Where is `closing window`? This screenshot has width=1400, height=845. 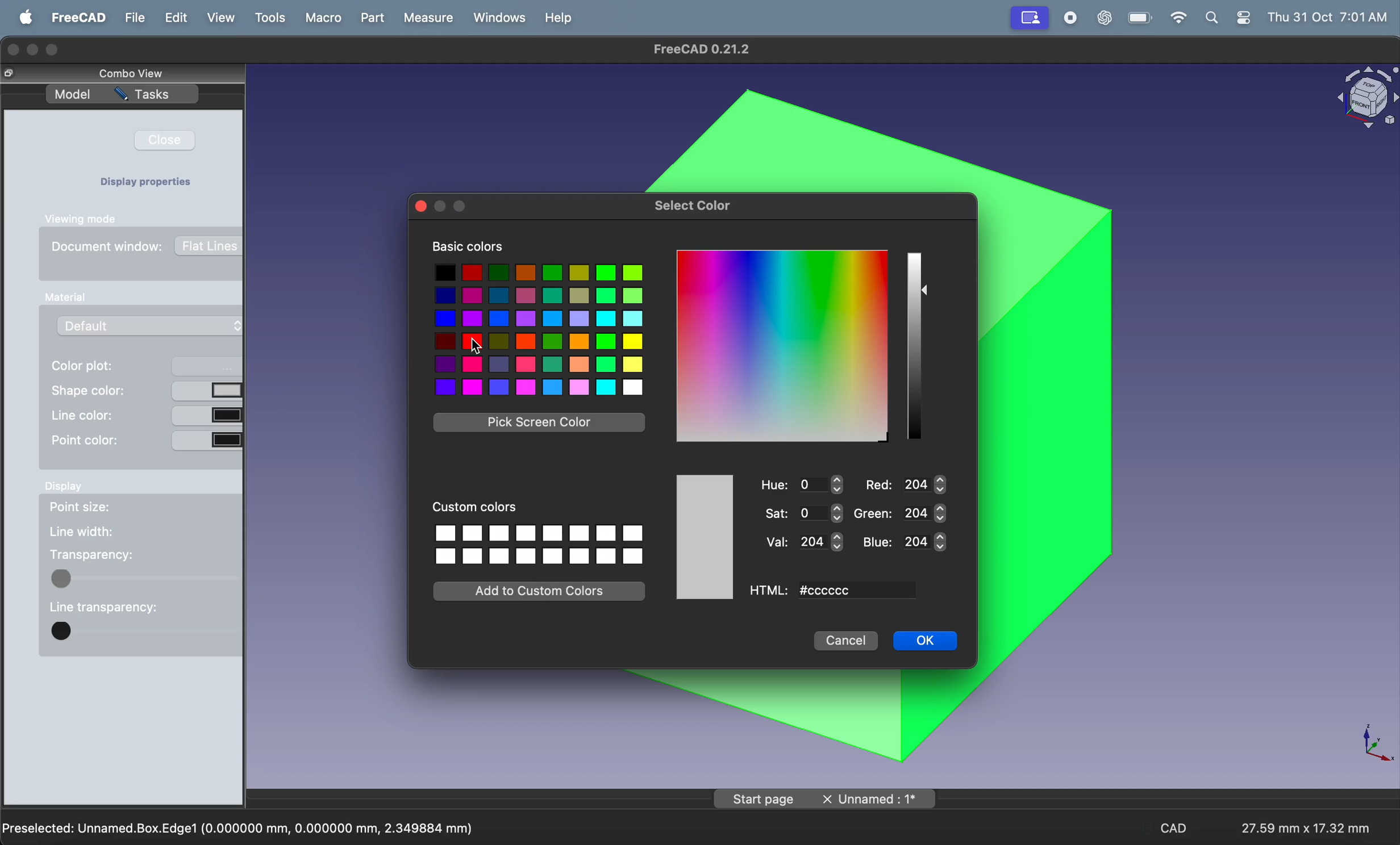 closing window is located at coordinates (14, 48).